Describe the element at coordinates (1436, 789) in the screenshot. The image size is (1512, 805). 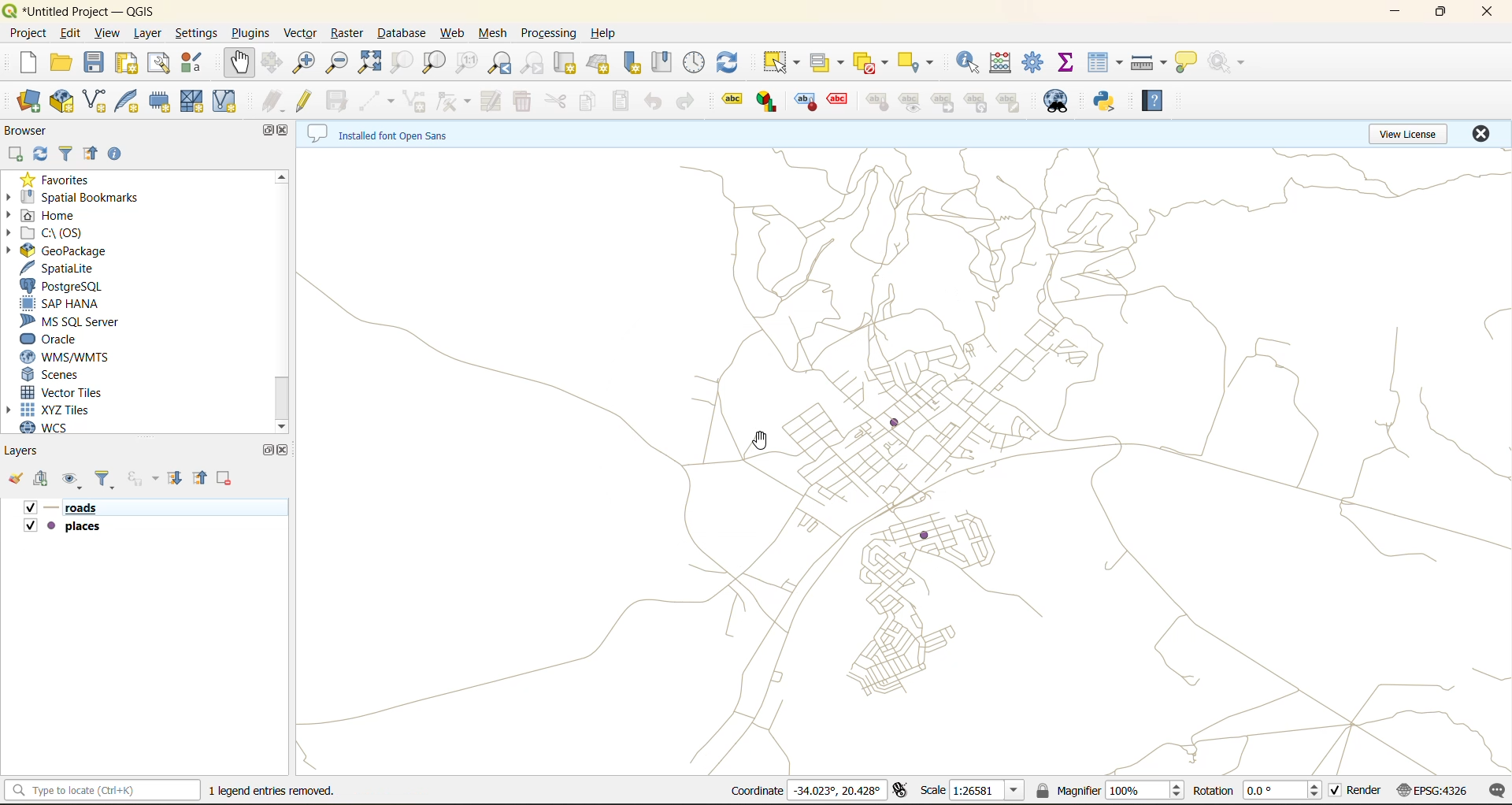
I see `crs` at that location.